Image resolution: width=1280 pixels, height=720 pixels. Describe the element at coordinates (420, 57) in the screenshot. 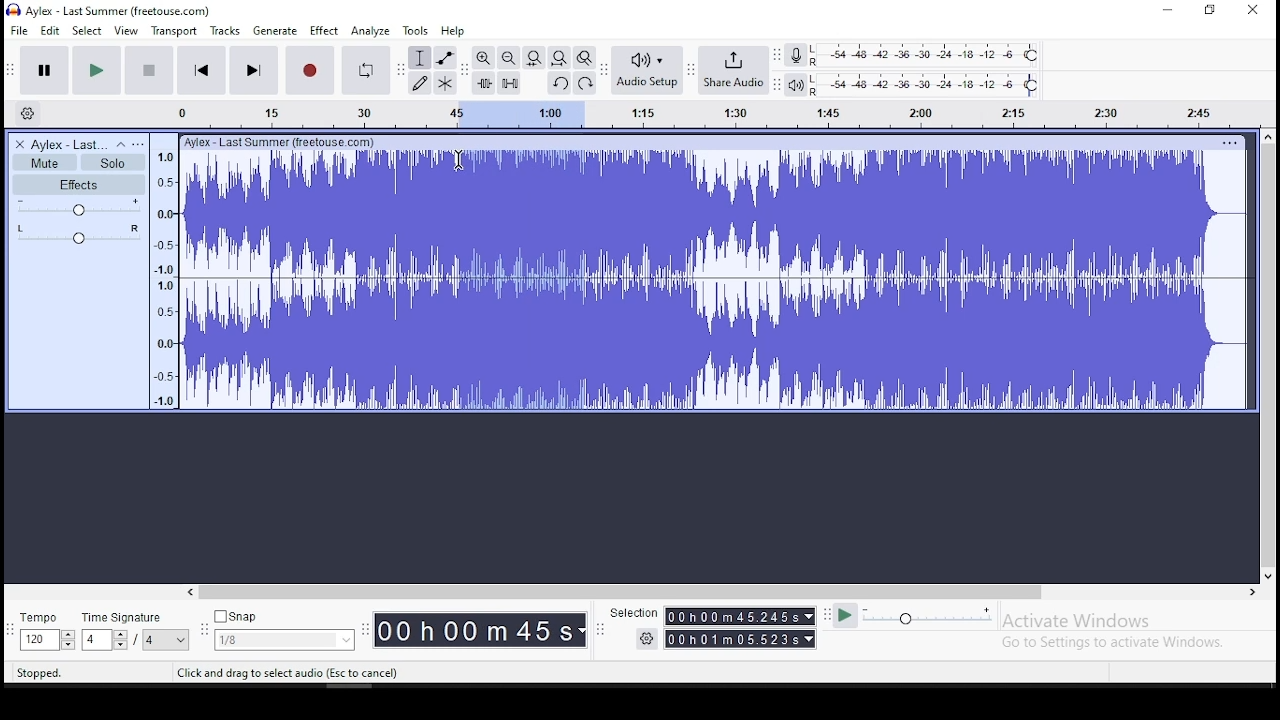

I see `selection tool` at that location.